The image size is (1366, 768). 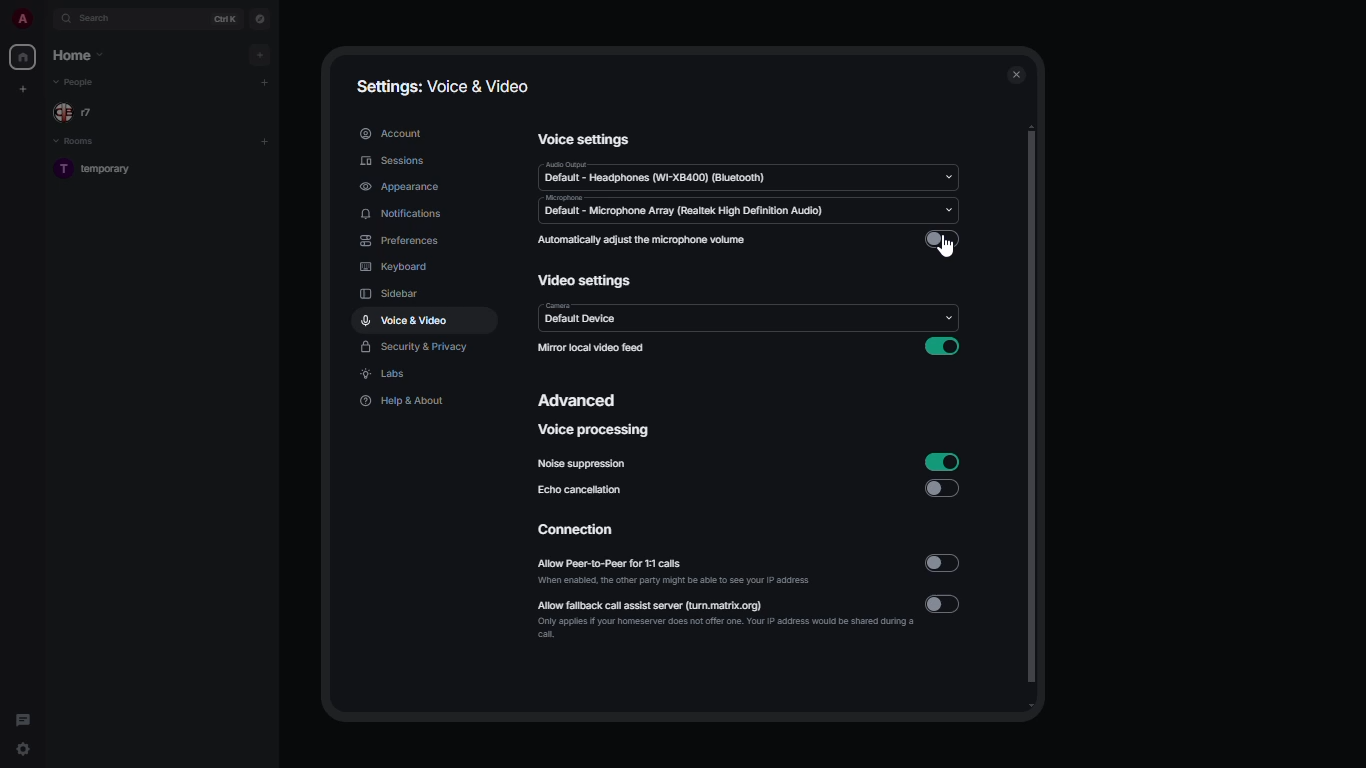 What do you see at coordinates (386, 375) in the screenshot?
I see `labs` at bounding box center [386, 375].